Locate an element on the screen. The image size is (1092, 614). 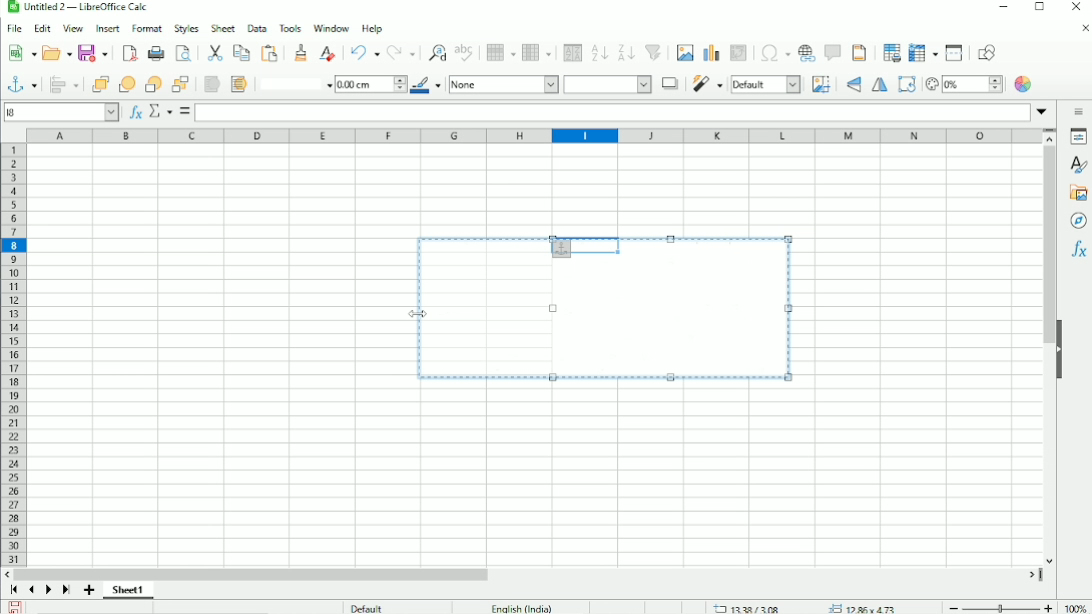
Horizontal scrollbar is located at coordinates (256, 573).